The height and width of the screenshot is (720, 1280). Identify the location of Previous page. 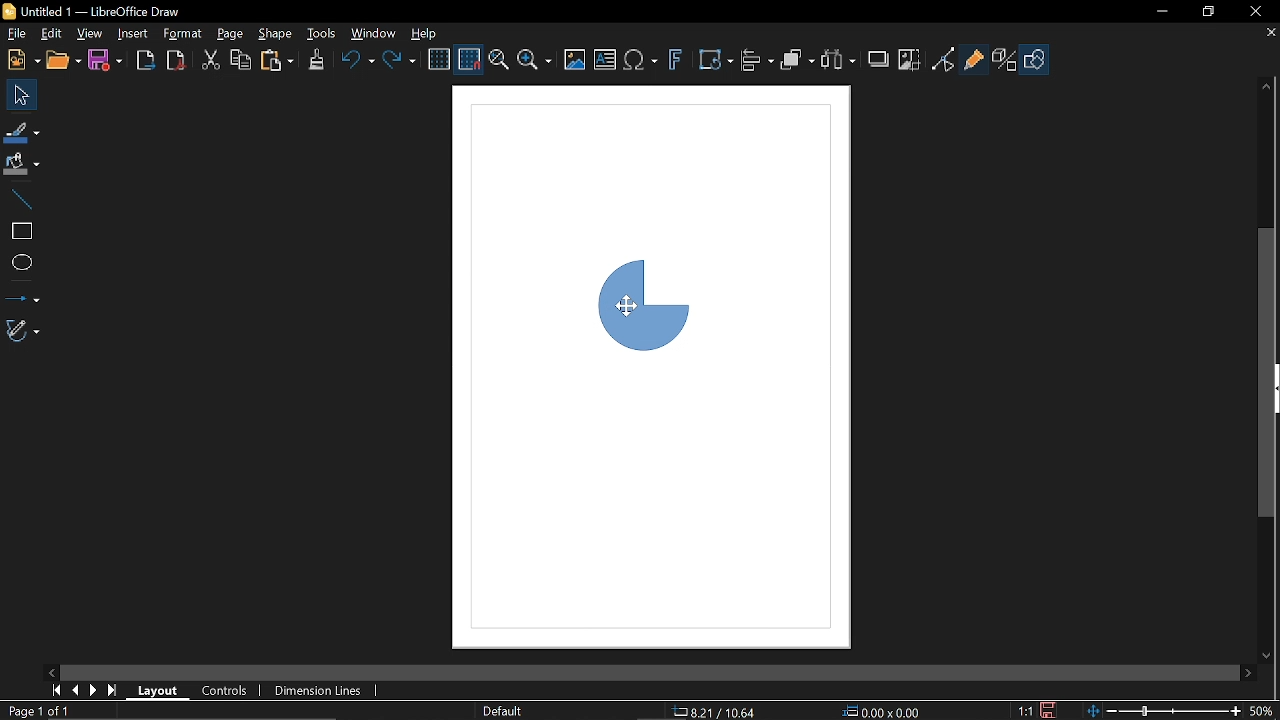
(78, 688).